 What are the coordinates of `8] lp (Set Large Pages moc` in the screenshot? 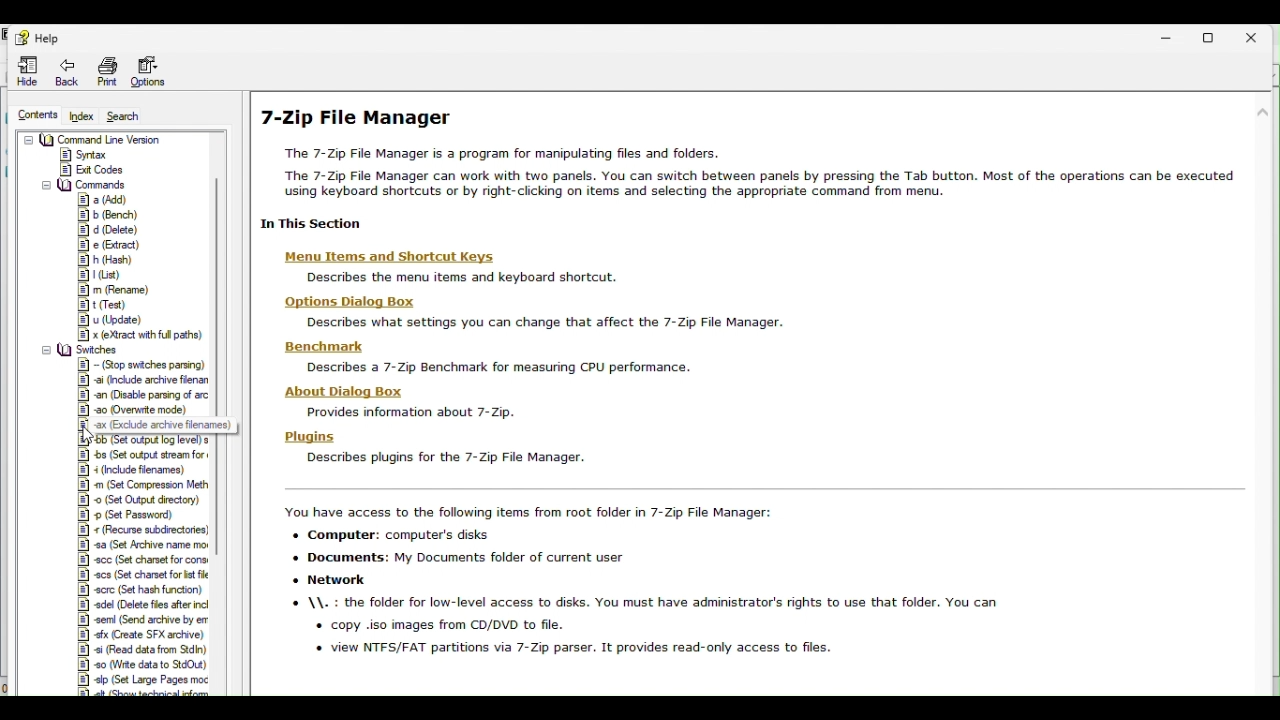 It's located at (143, 678).